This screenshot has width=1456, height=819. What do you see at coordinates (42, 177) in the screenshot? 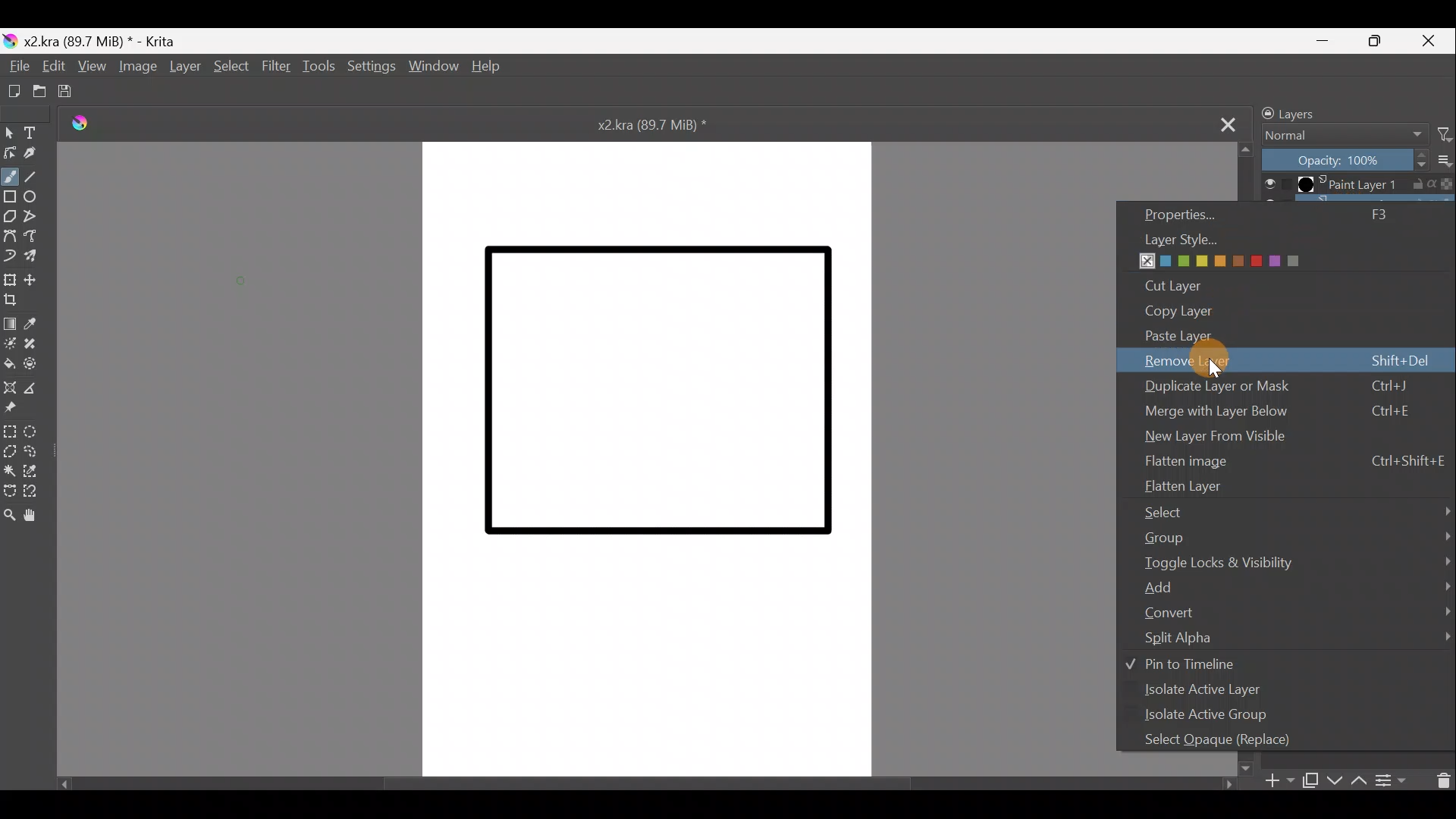
I see `Line tool` at bounding box center [42, 177].